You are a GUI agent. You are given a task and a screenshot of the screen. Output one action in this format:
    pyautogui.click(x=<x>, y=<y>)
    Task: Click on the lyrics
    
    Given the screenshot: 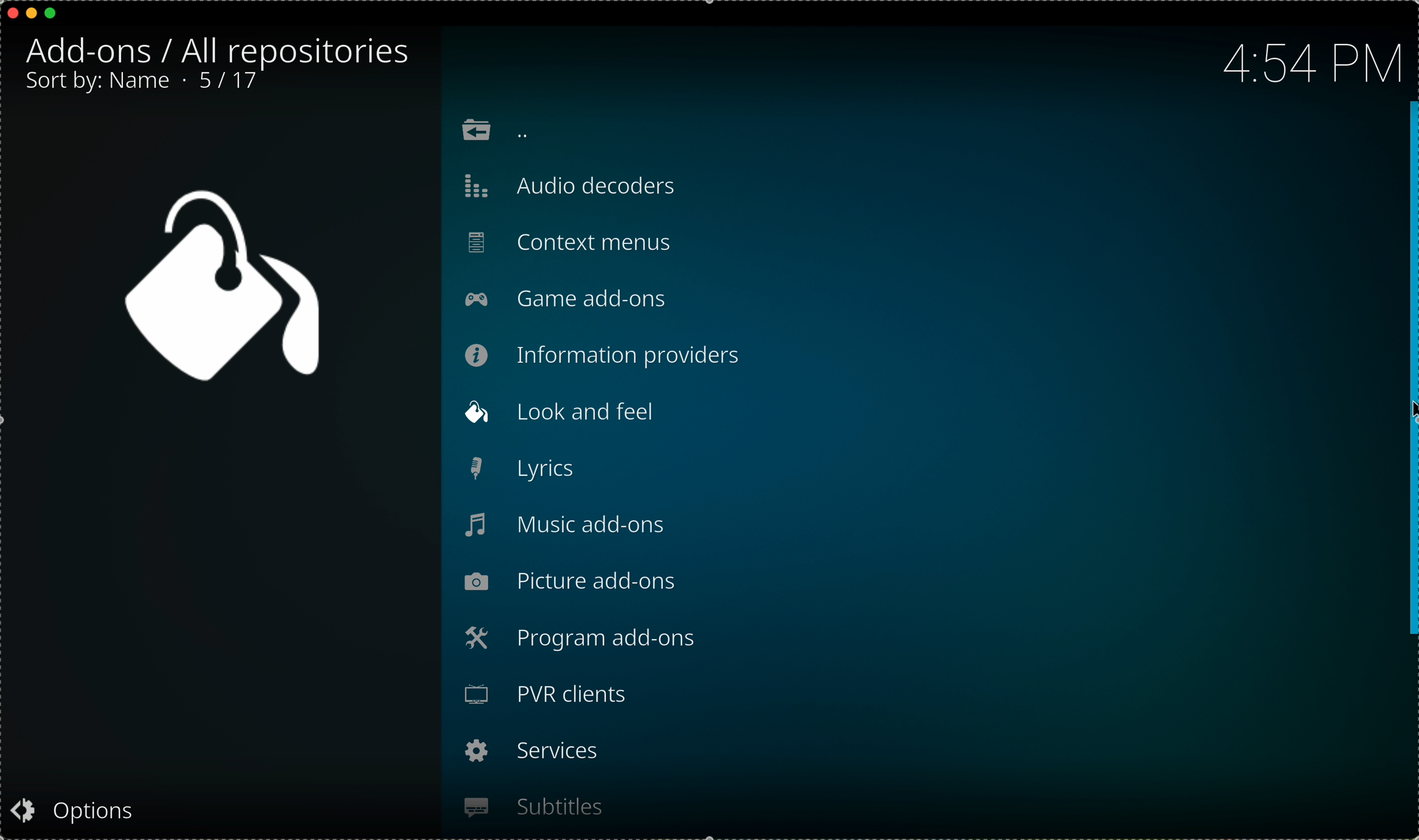 What is the action you would take?
    pyautogui.click(x=522, y=468)
    